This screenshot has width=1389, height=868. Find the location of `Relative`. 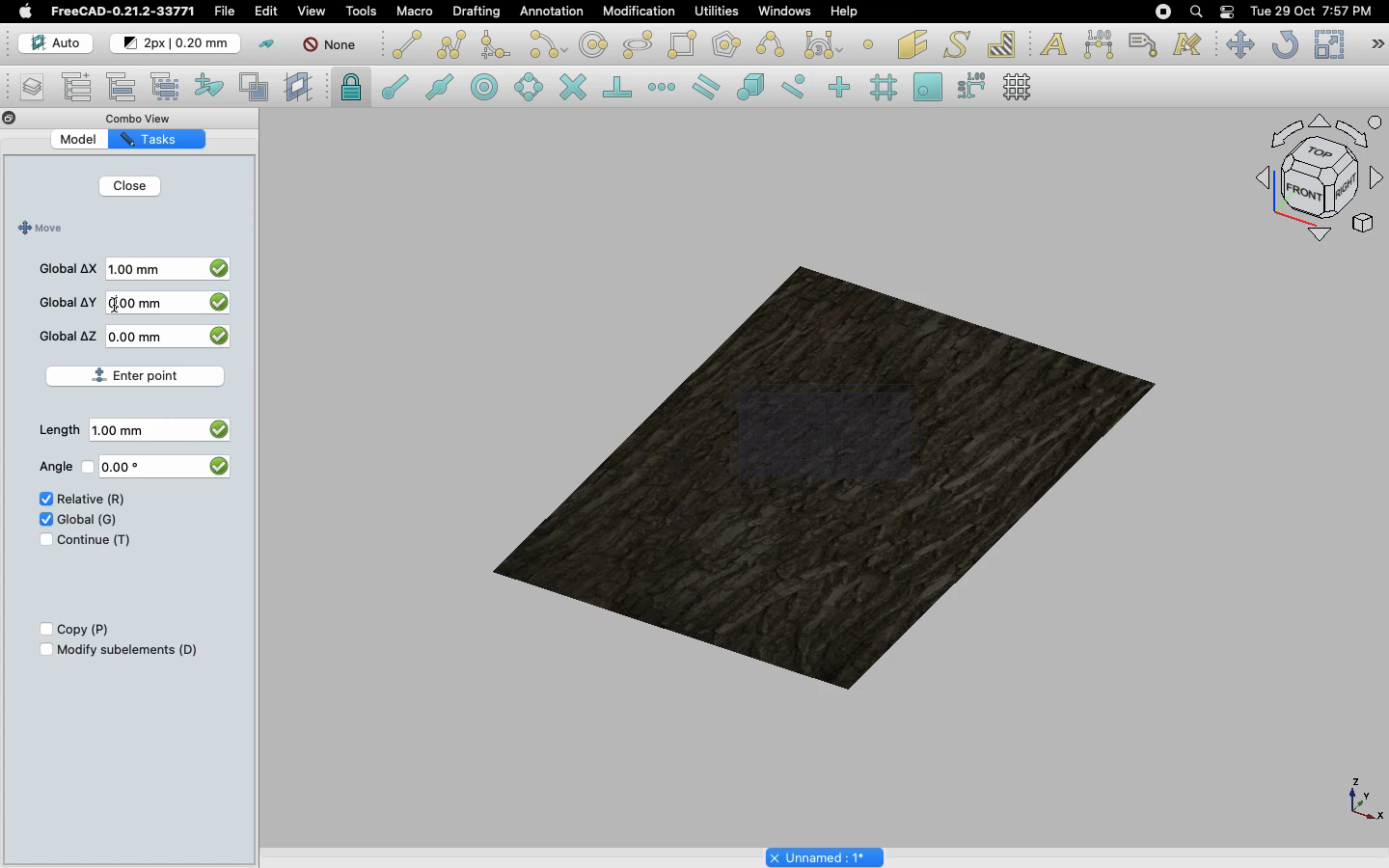

Relative is located at coordinates (92, 500).